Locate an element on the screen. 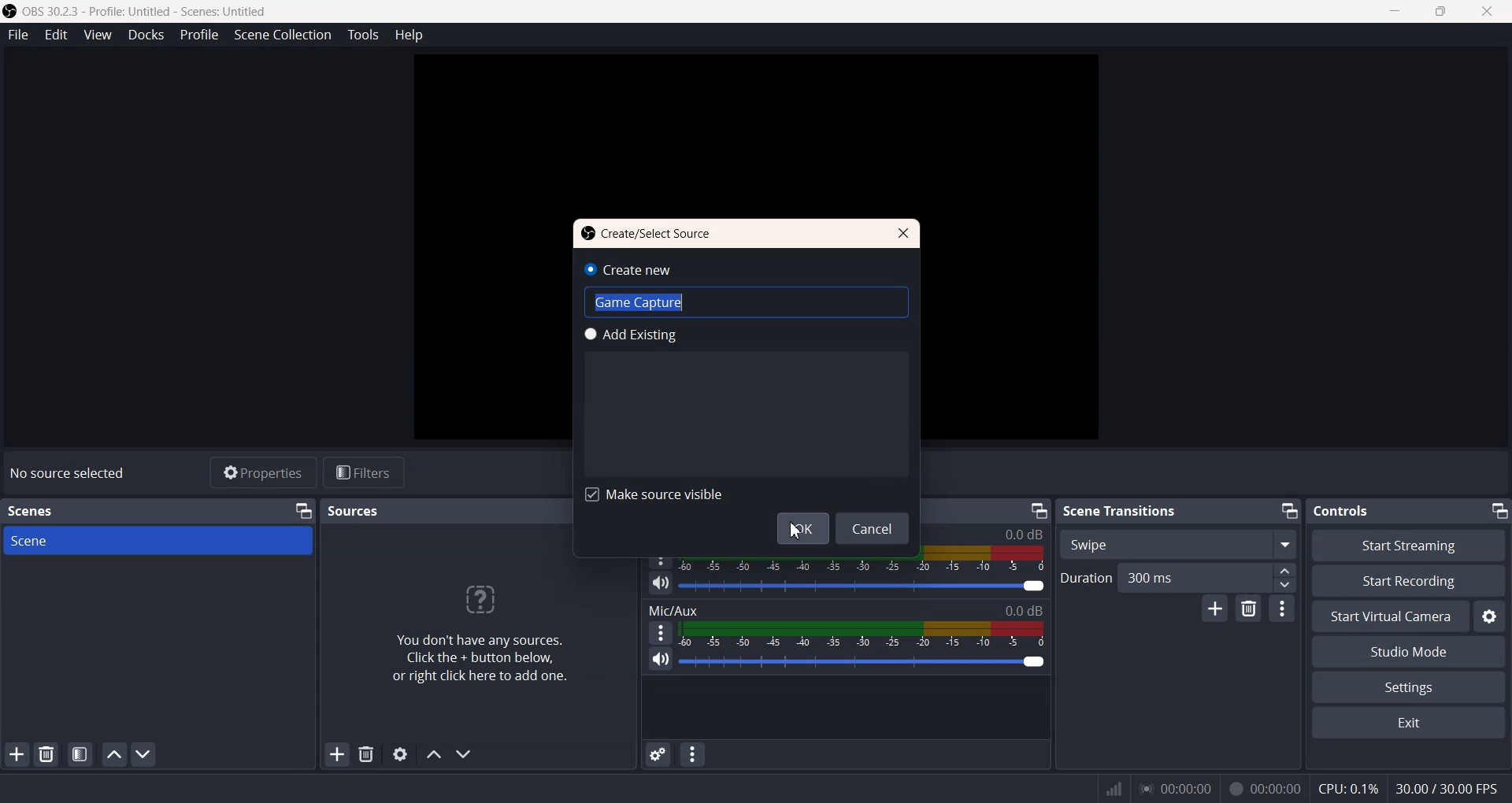 This screenshot has height=803, width=1512. File is located at coordinates (19, 34).